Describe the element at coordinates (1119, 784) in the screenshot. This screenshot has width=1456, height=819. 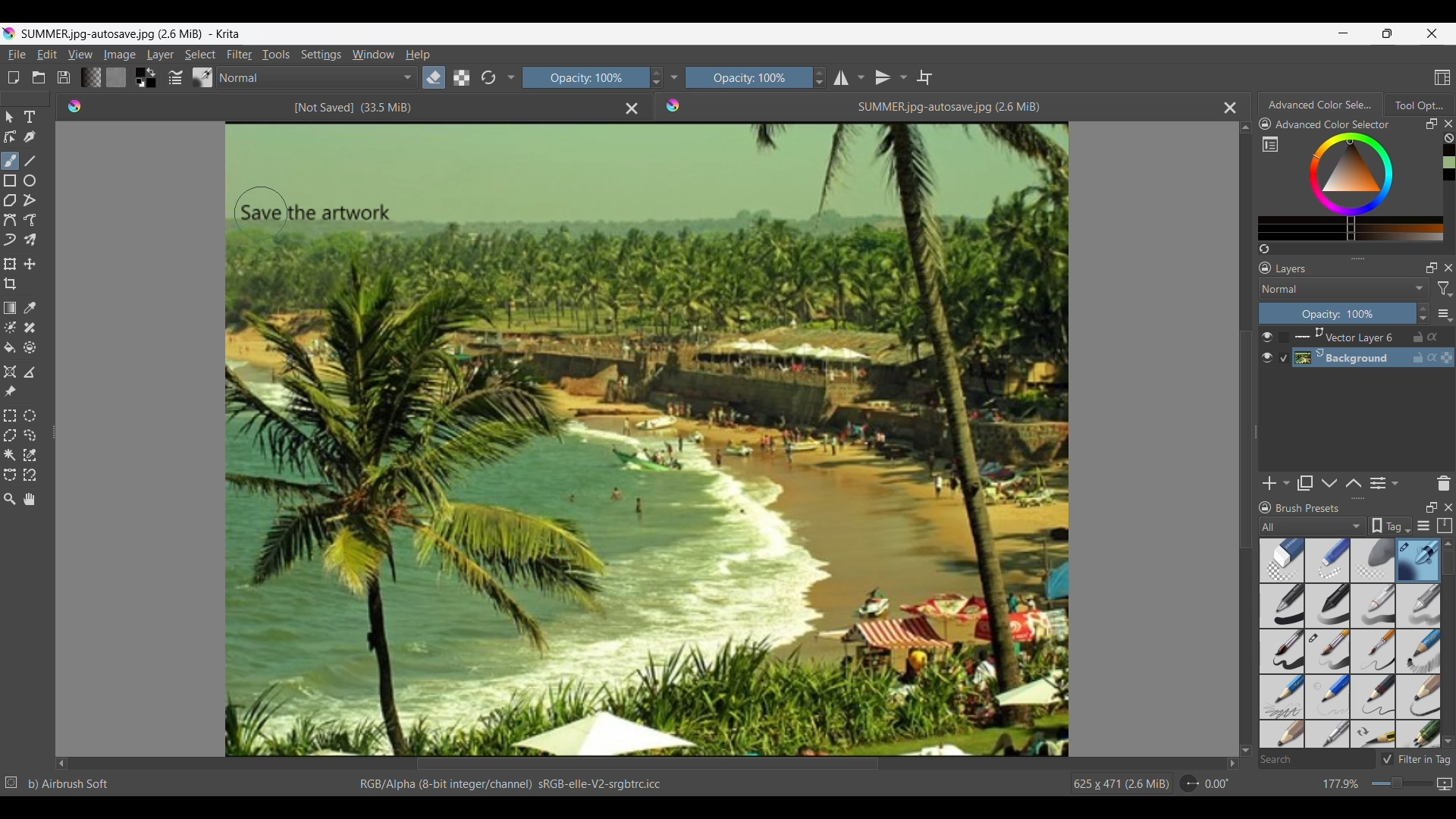
I see `625 x 471 (2.6 MiB)` at that location.